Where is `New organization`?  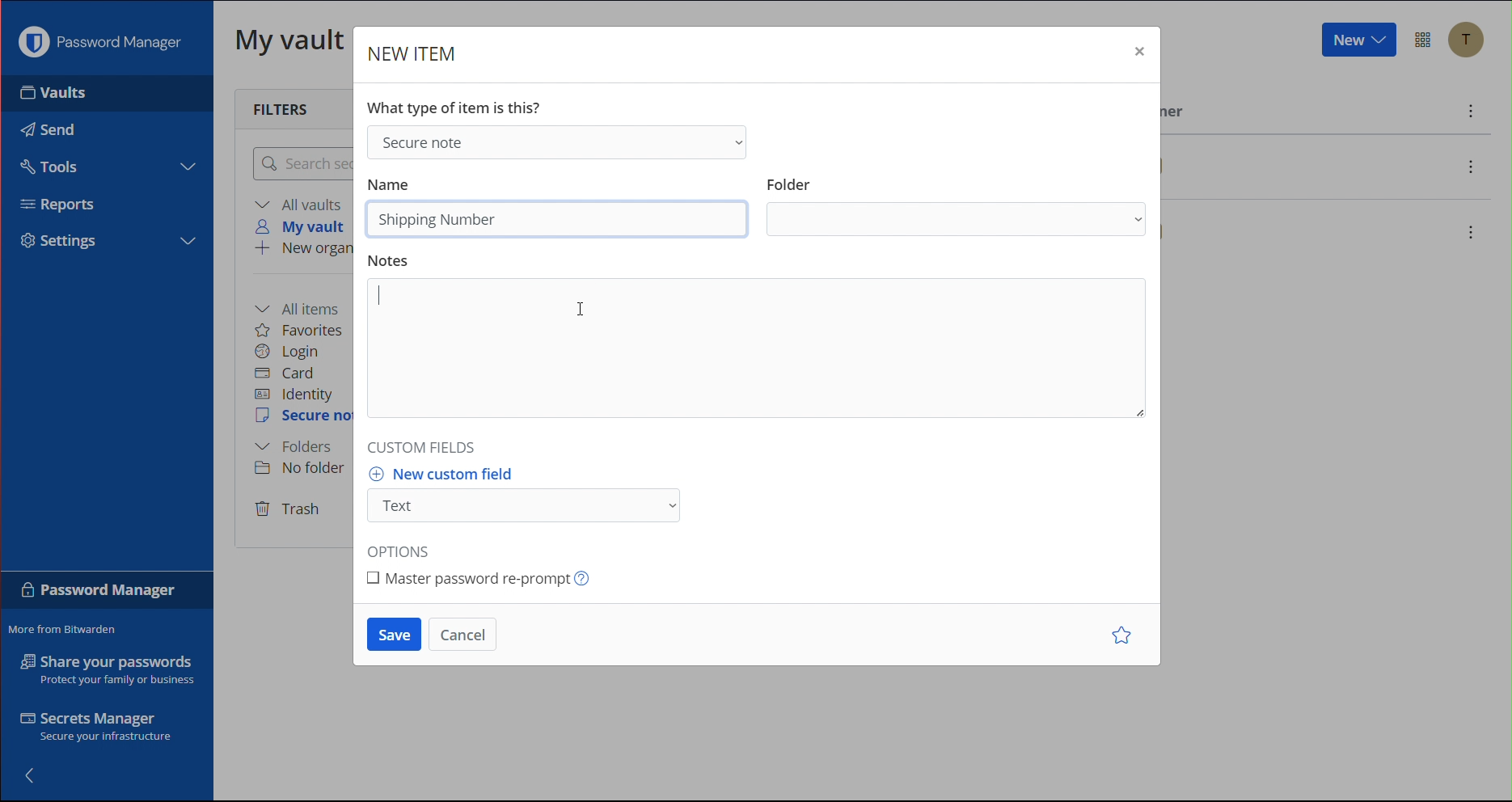
New organization is located at coordinates (301, 251).